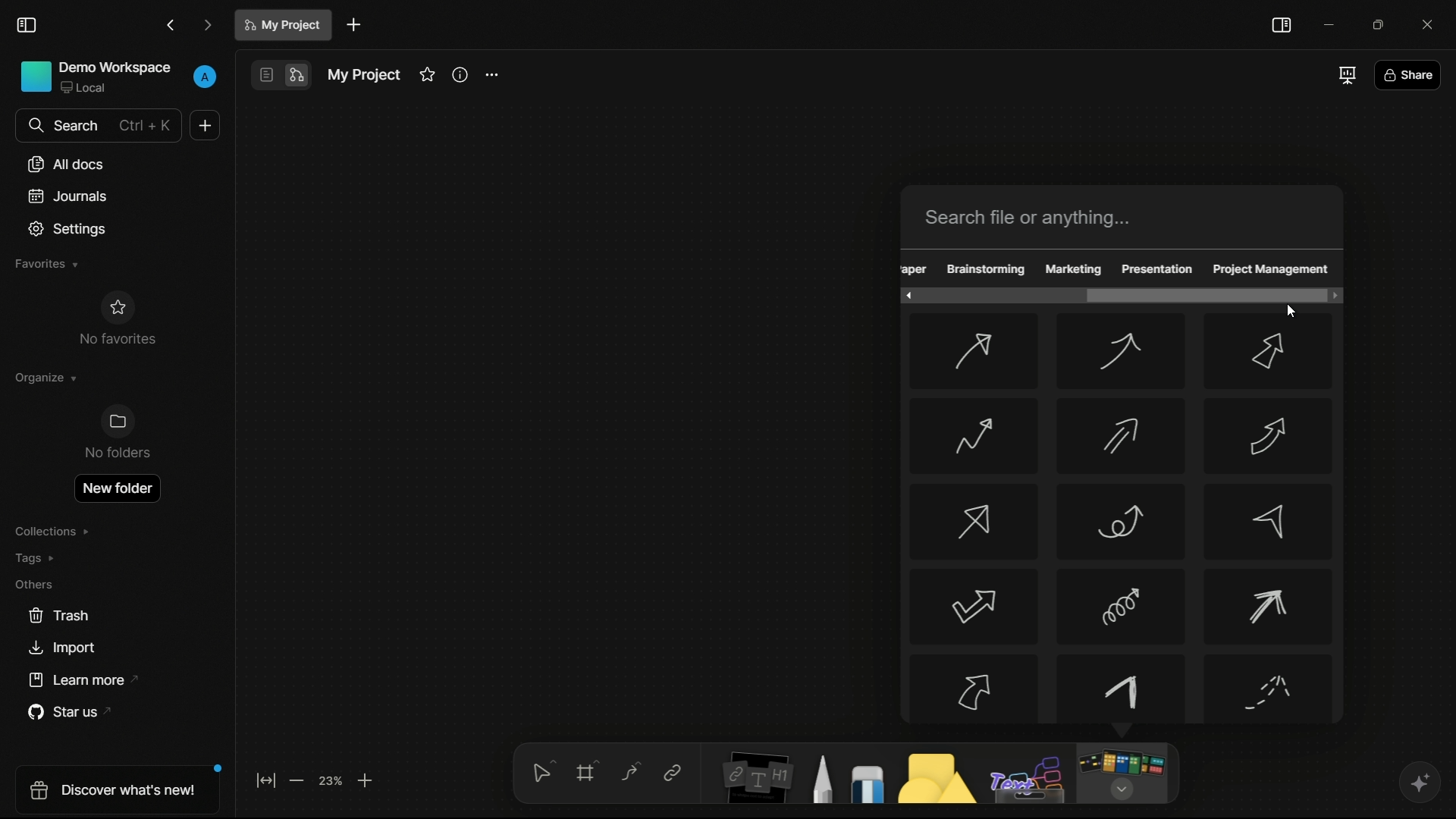 This screenshot has height=819, width=1456. What do you see at coordinates (1270, 690) in the screenshot?
I see `arrow-15` at bounding box center [1270, 690].